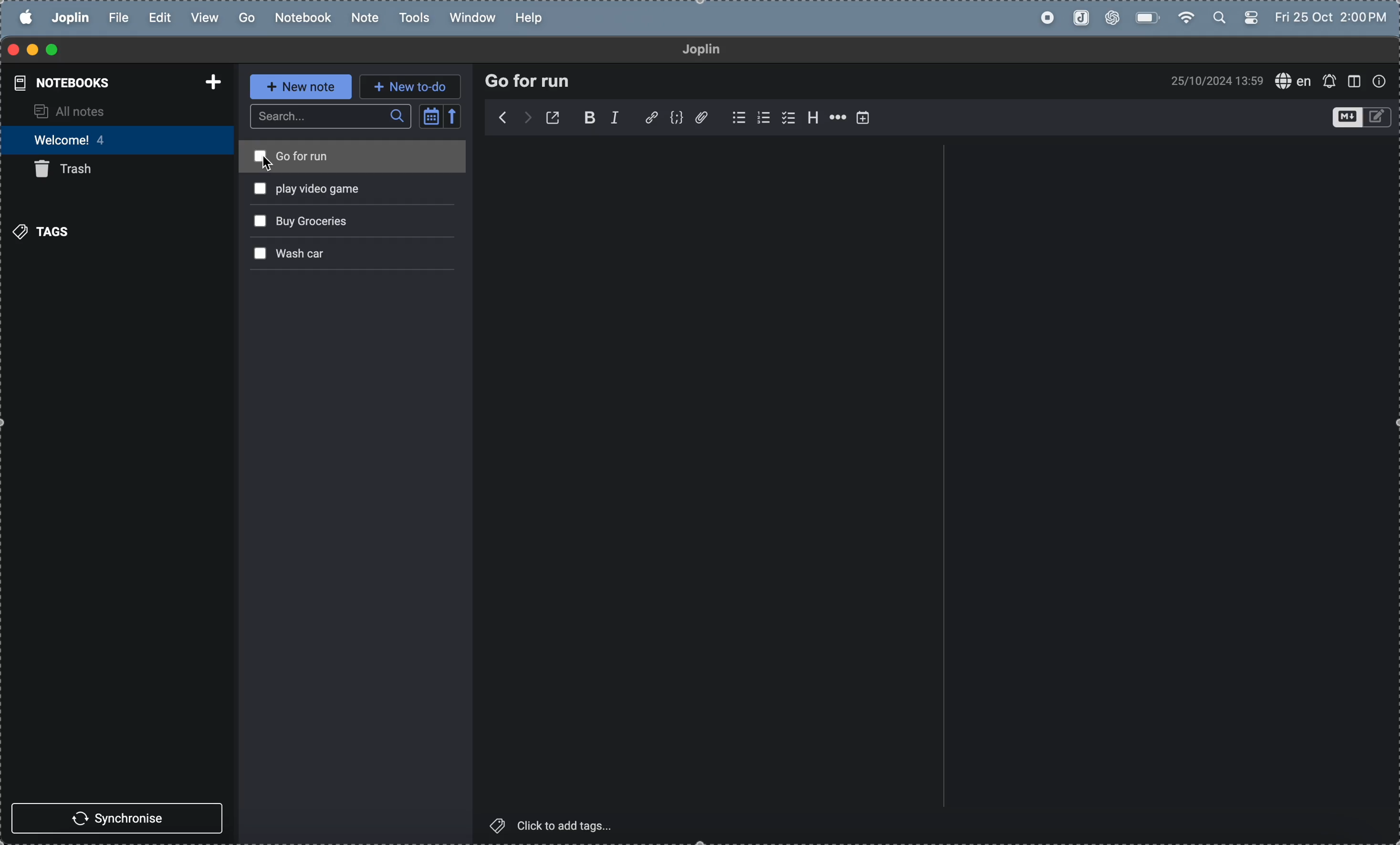  I want to click on joplin, so click(1081, 20).